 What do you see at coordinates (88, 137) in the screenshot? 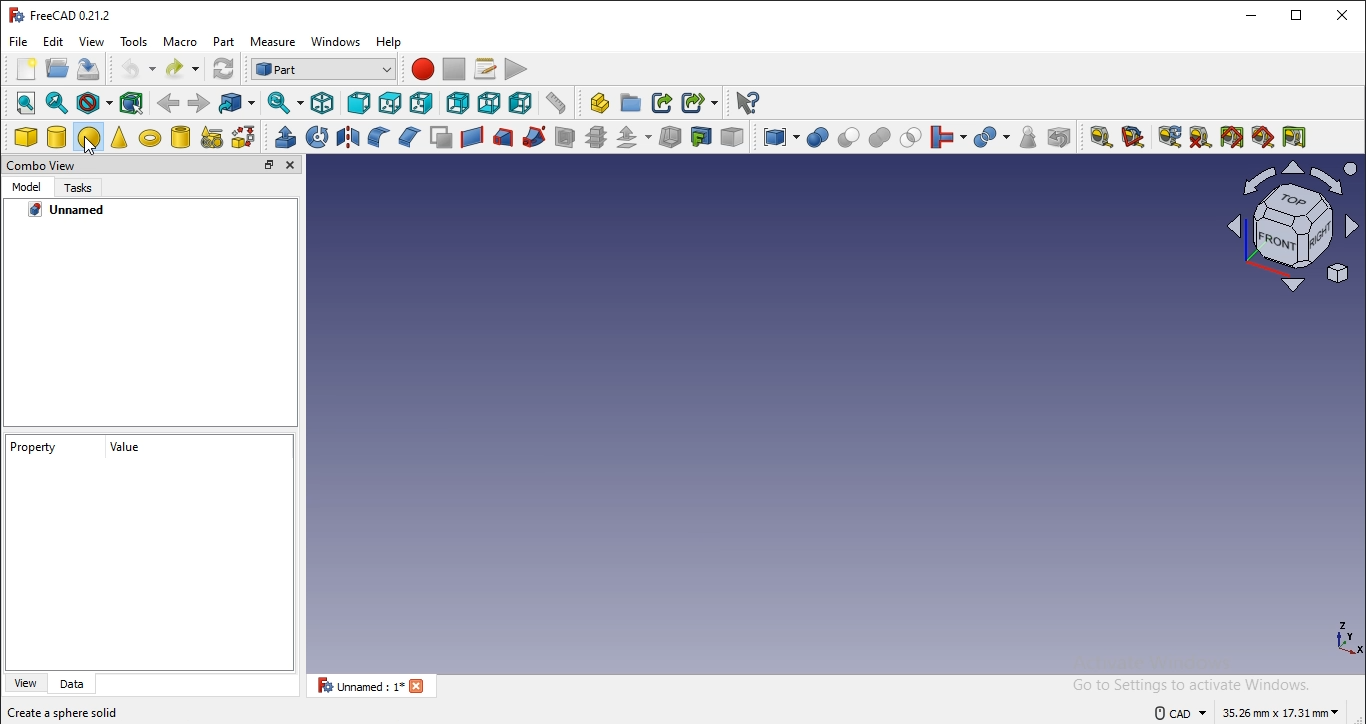
I see `sphere` at bounding box center [88, 137].